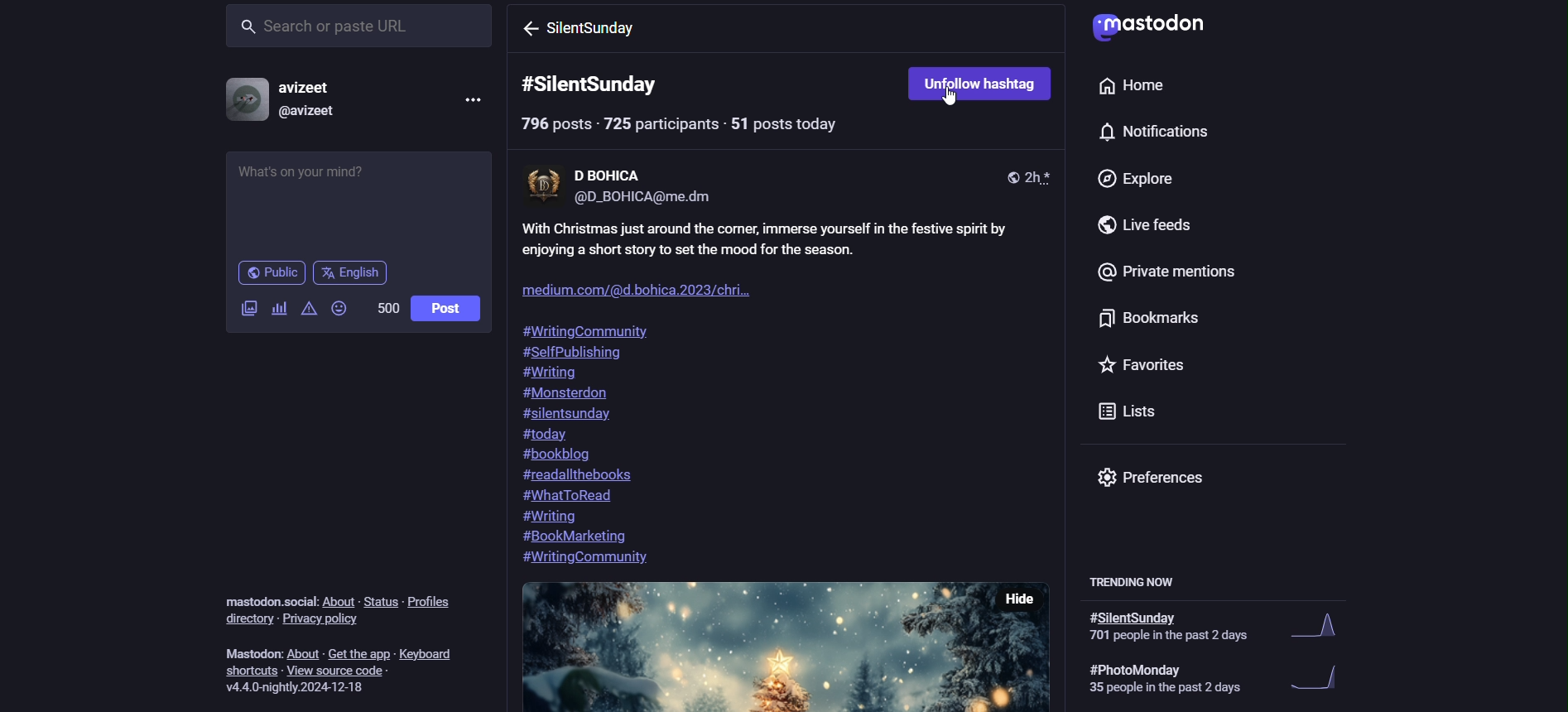  What do you see at coordinates (1121, 225) in the screenshot?
I see `Live feeds` at bounding box center [1121, 225].